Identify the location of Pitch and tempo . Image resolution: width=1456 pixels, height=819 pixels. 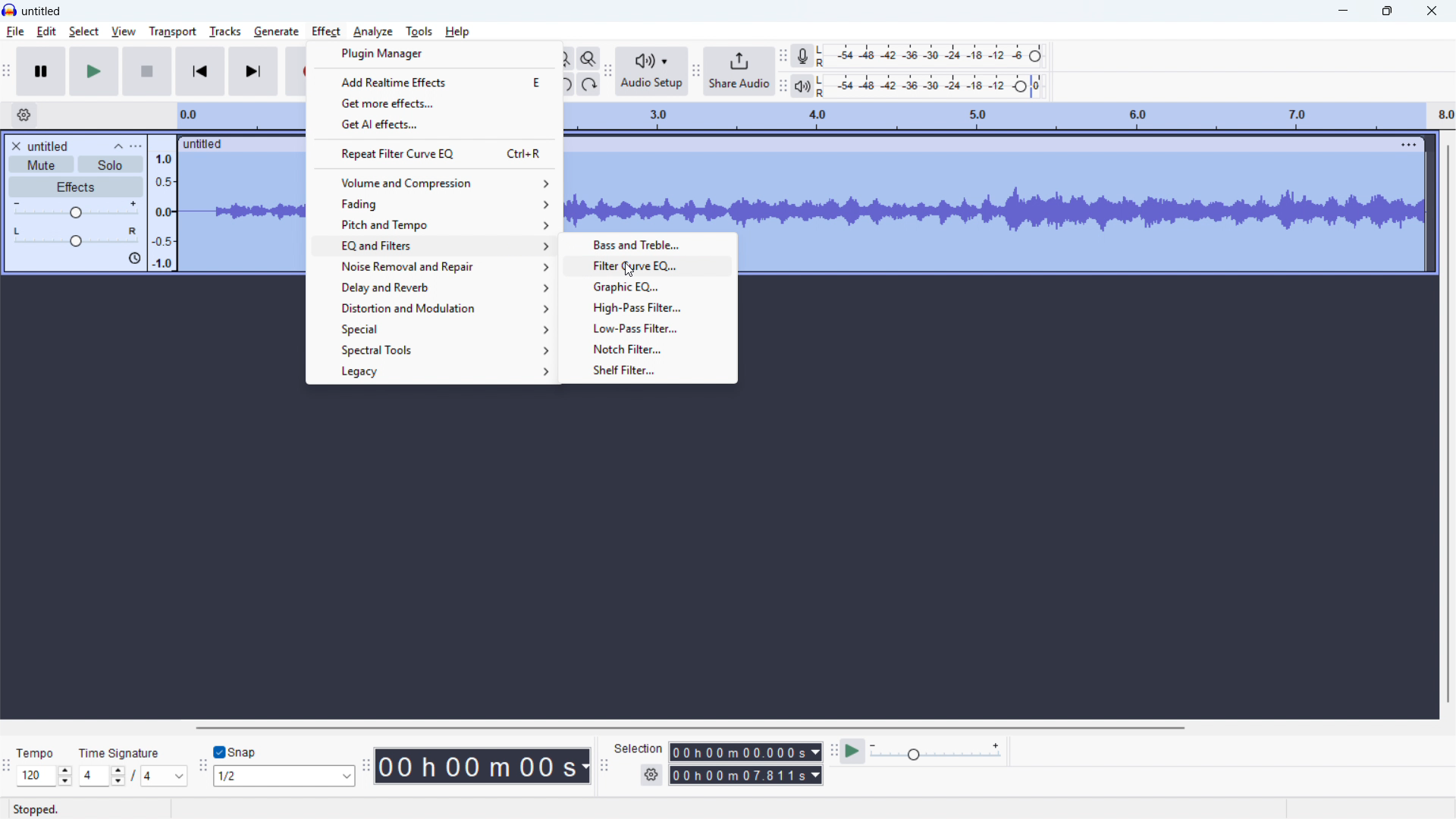
(436, 223).